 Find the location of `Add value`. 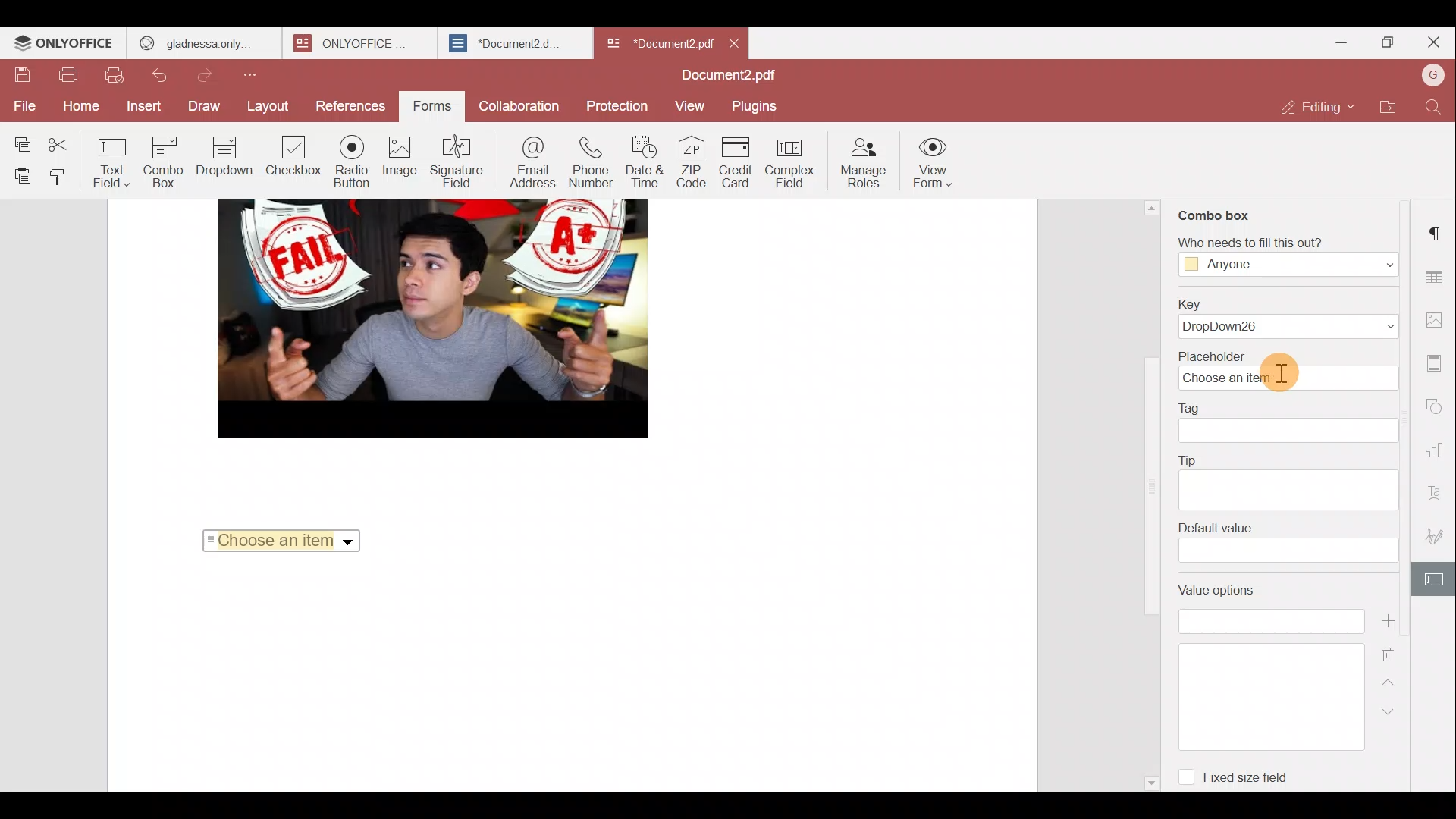

Add value is located at coordinates (1391, 621).